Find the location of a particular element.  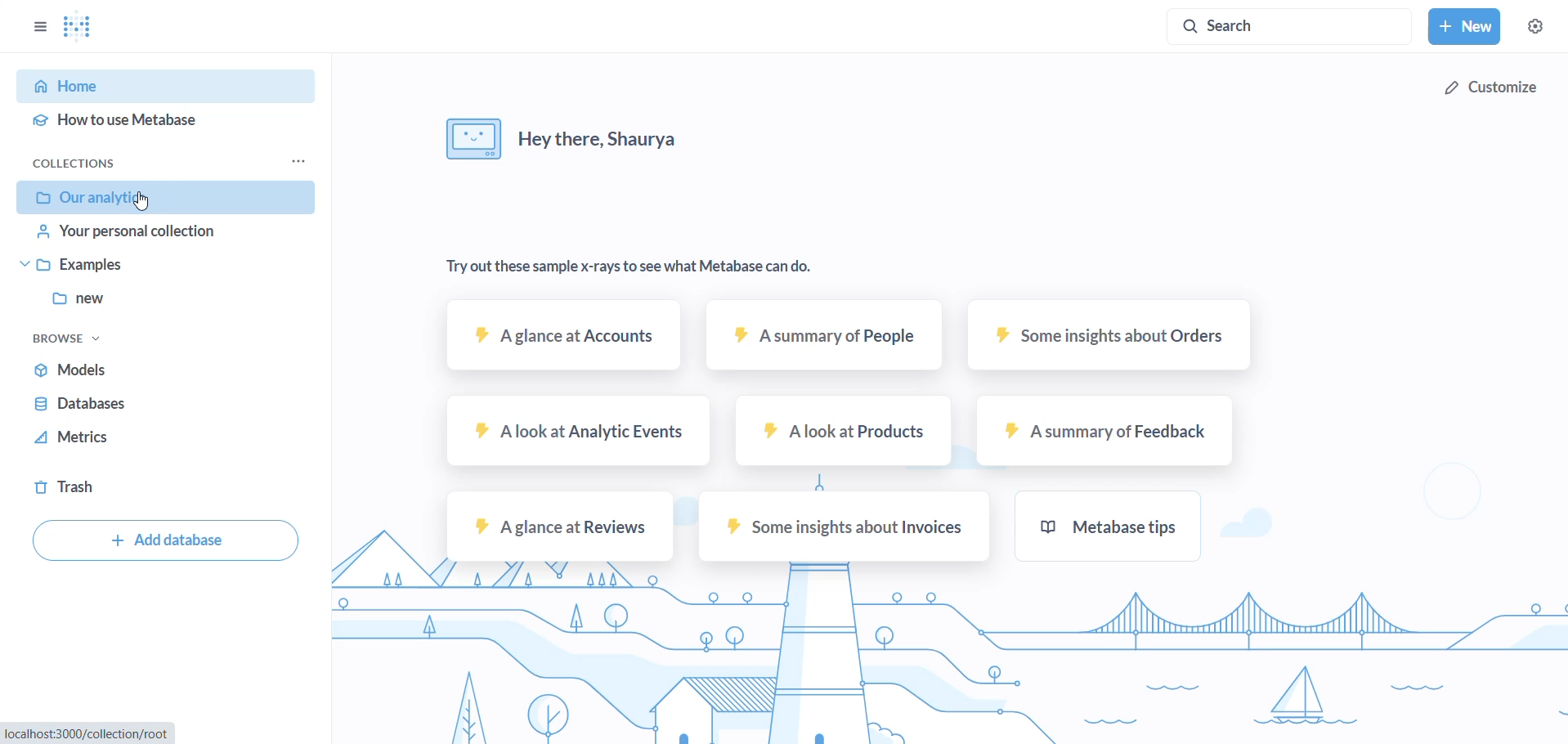

some insights about order sample is located at coordinates (1113, 340).